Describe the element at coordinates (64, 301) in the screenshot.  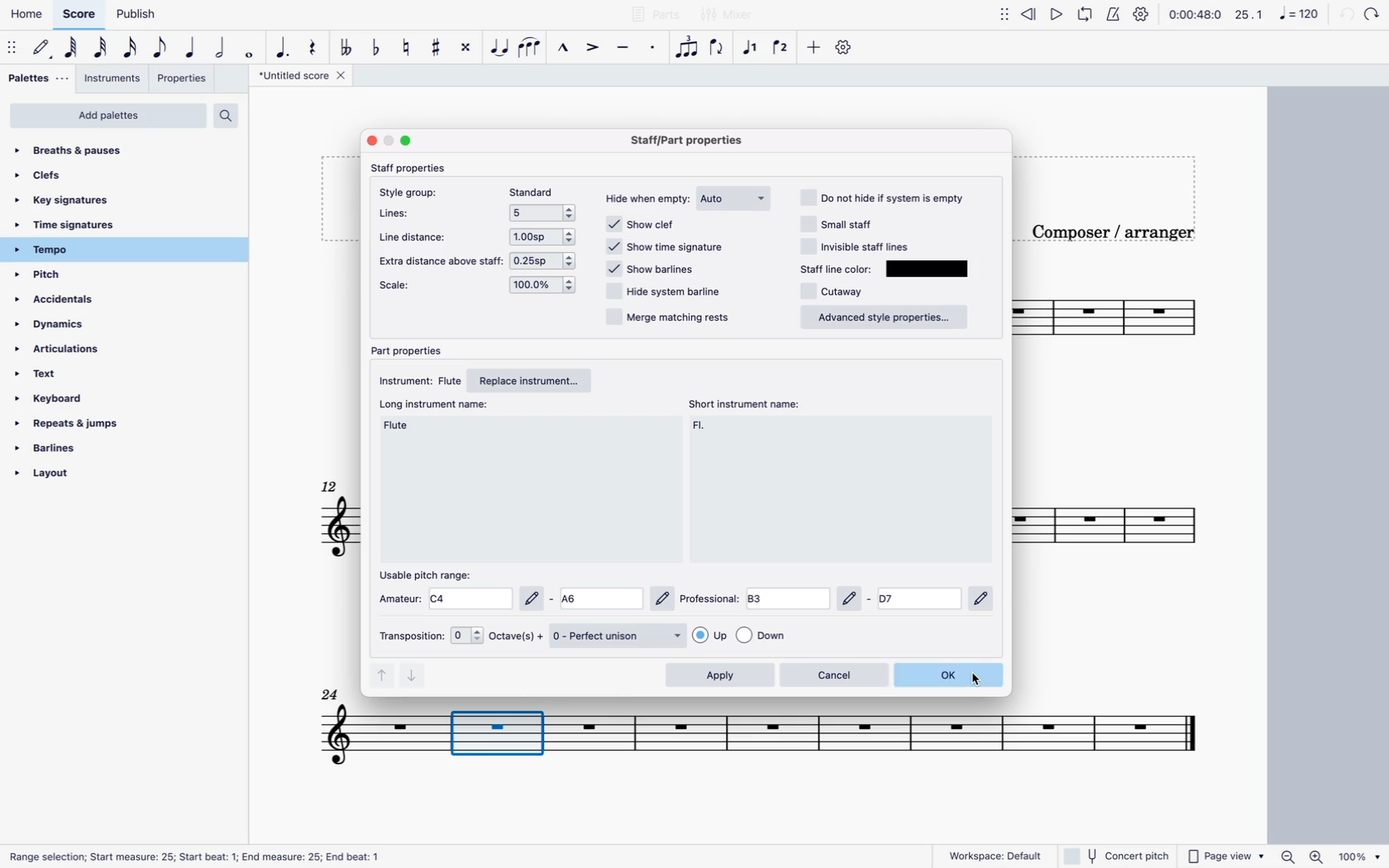
I see `accidentals` at that location.